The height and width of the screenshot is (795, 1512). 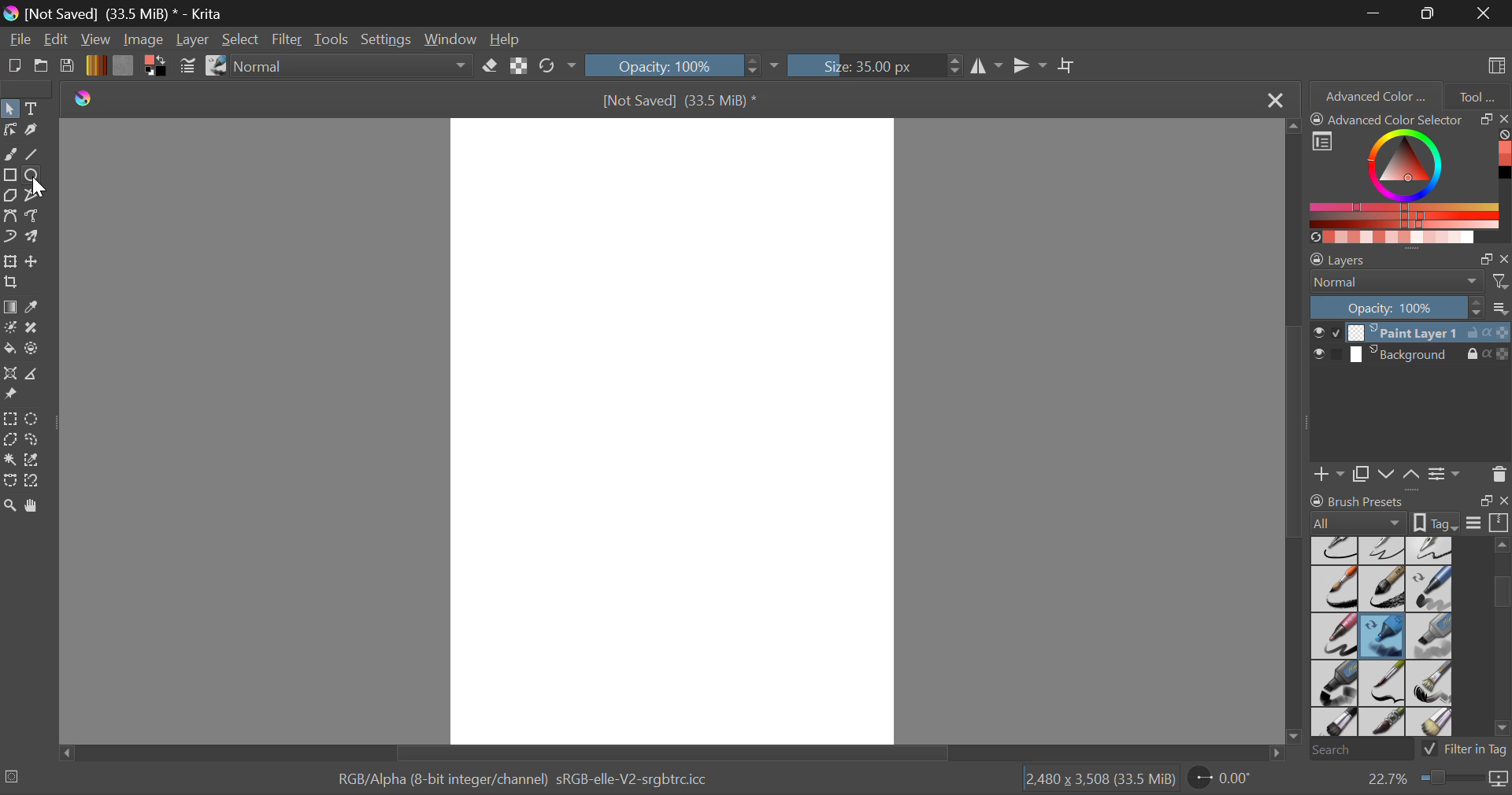 I want to click on Layer Settings, so click(x=1410, y=256).